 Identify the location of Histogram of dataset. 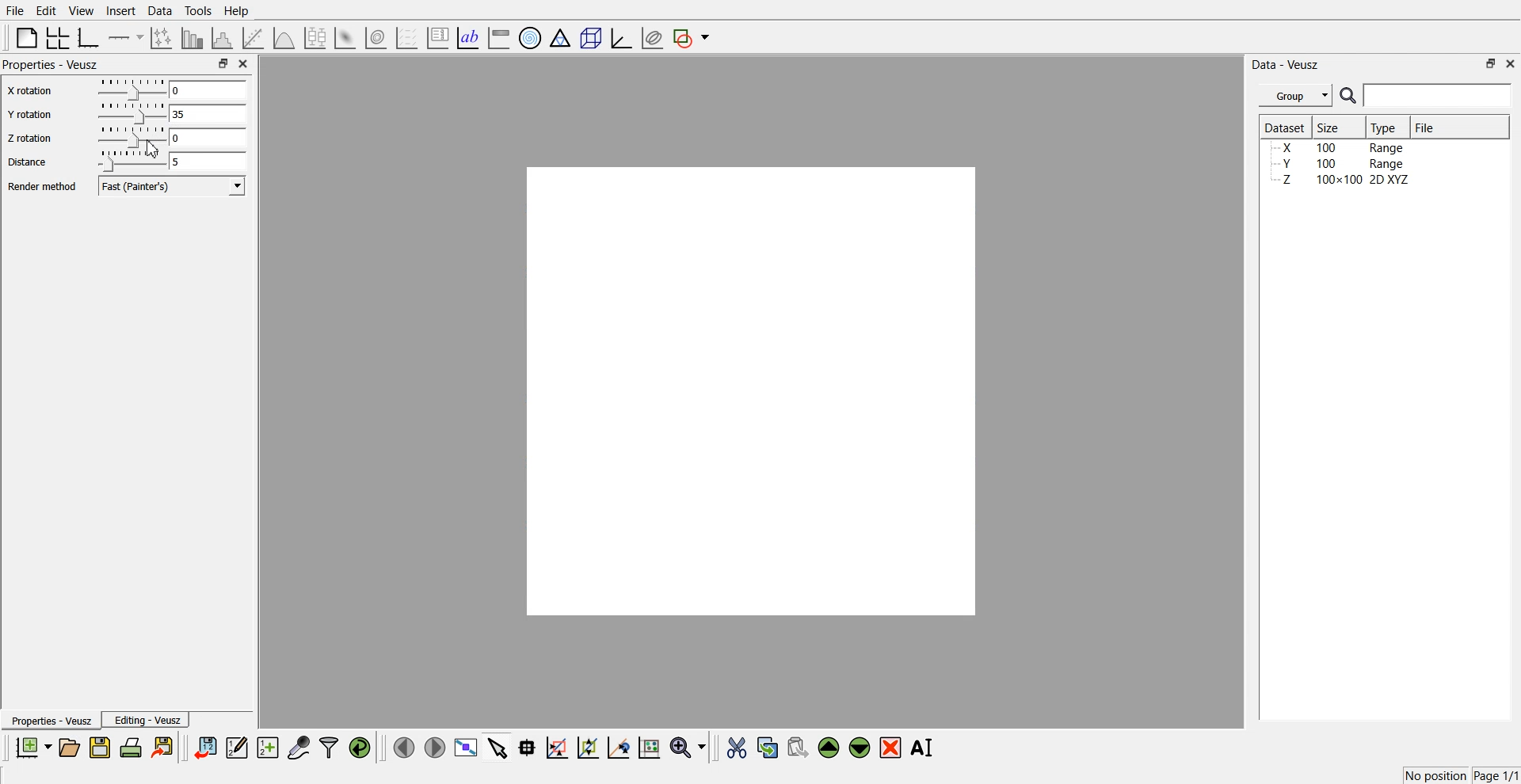
(220, 39).